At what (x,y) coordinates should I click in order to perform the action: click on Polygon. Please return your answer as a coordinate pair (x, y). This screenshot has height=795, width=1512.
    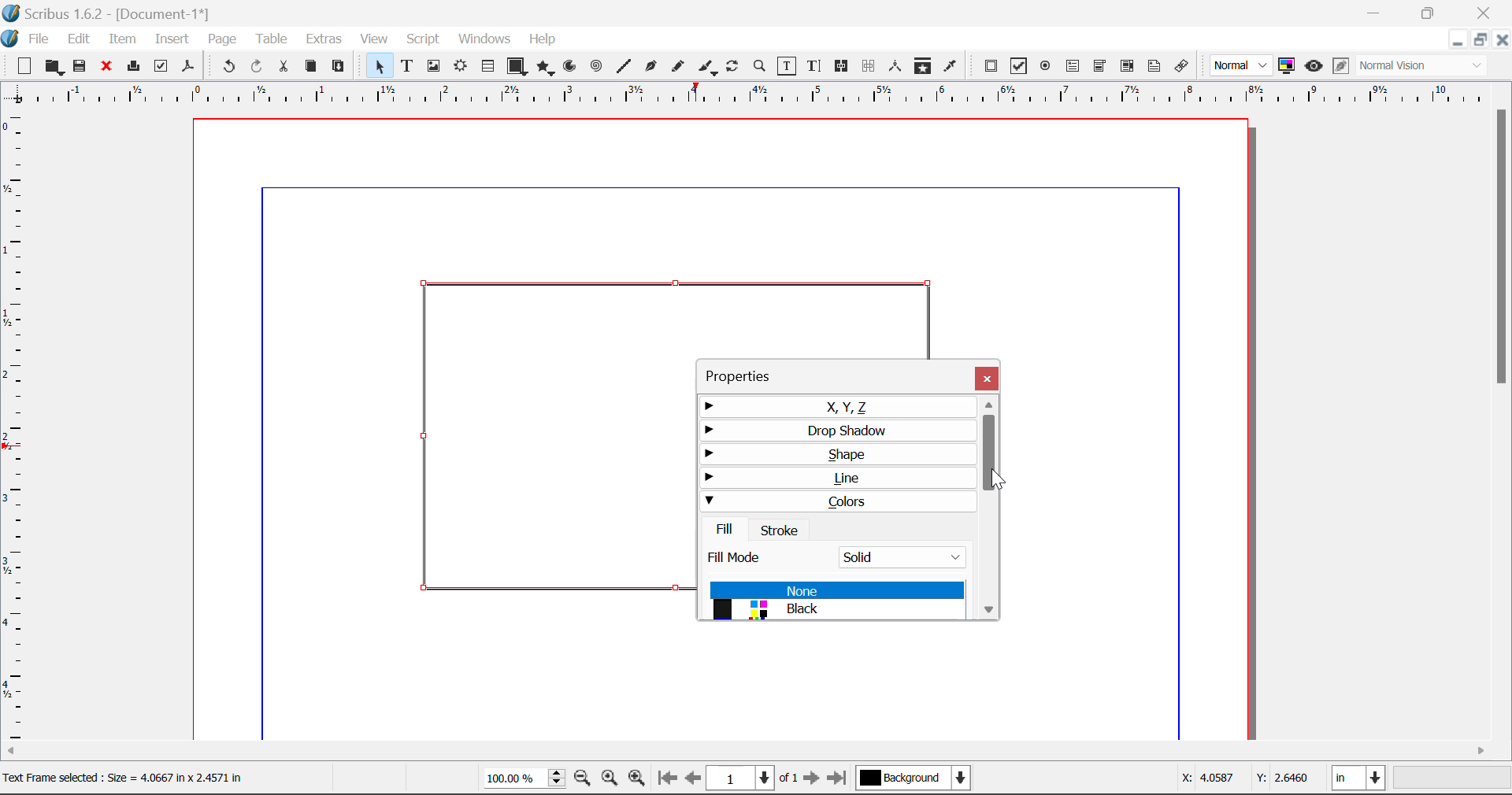
    Looking at the image, I should click on (547, 68).